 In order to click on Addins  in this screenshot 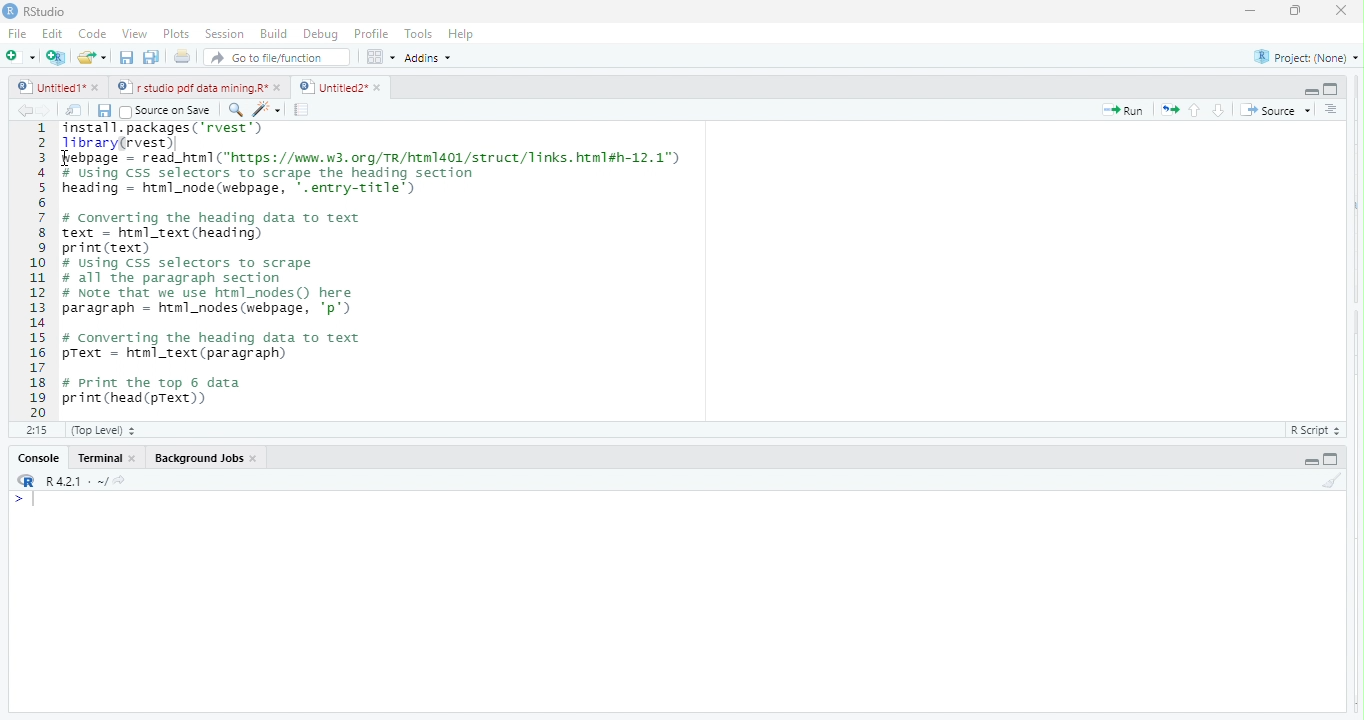, I will do `click(432, 57)`.